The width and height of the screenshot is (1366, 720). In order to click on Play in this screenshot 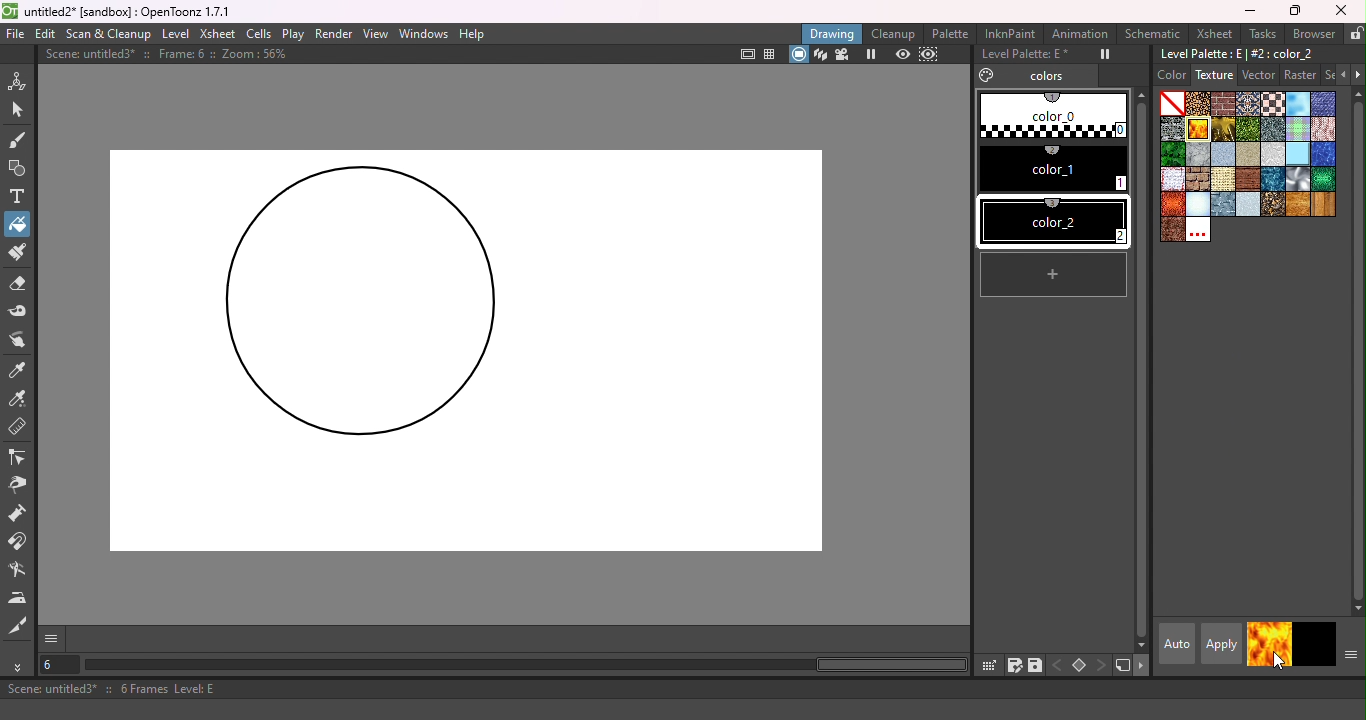, I will do `click(294, 33)`.